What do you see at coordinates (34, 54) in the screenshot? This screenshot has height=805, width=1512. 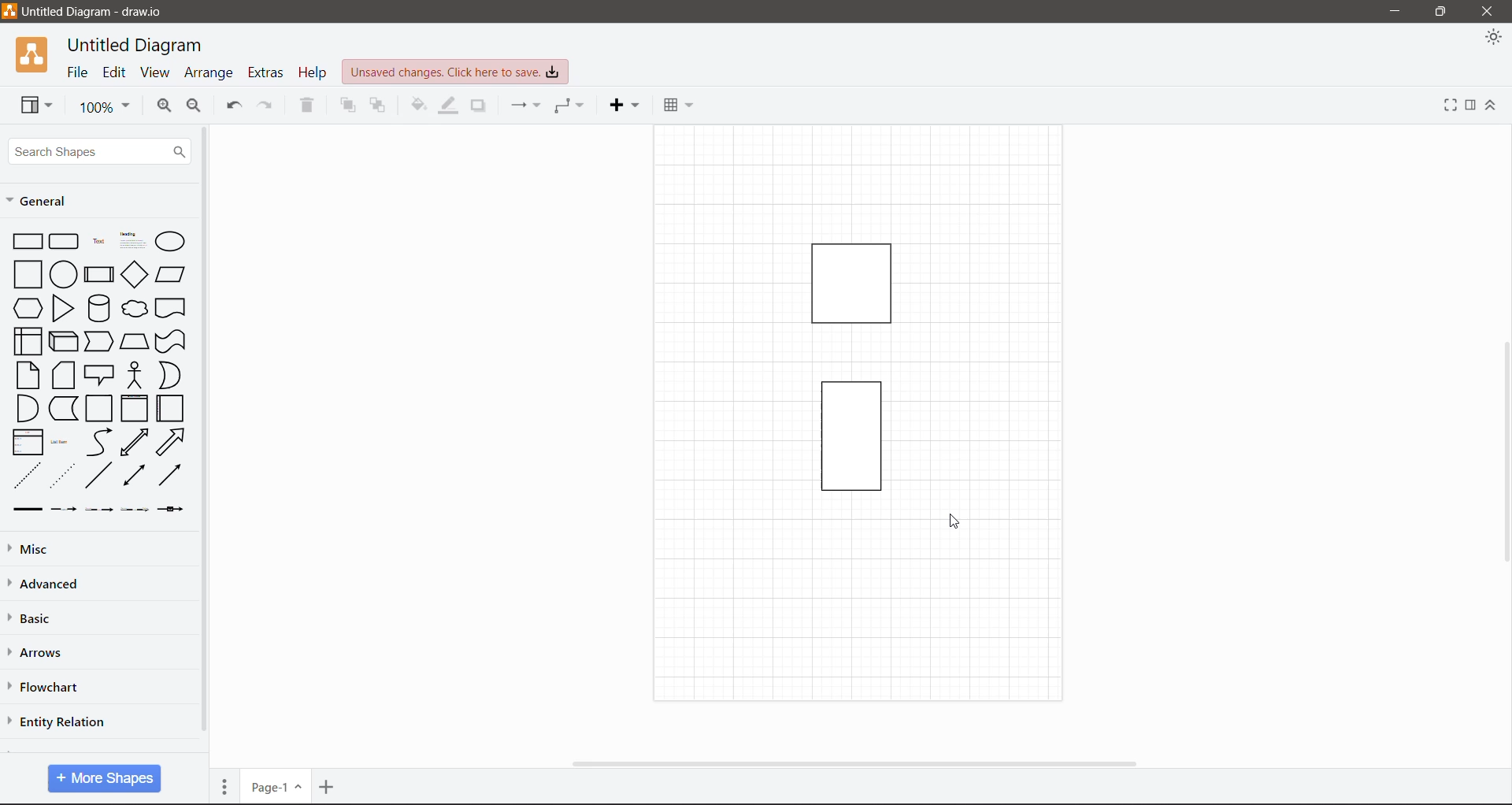 I see `Application Logo` at bounding box center [34, 54].